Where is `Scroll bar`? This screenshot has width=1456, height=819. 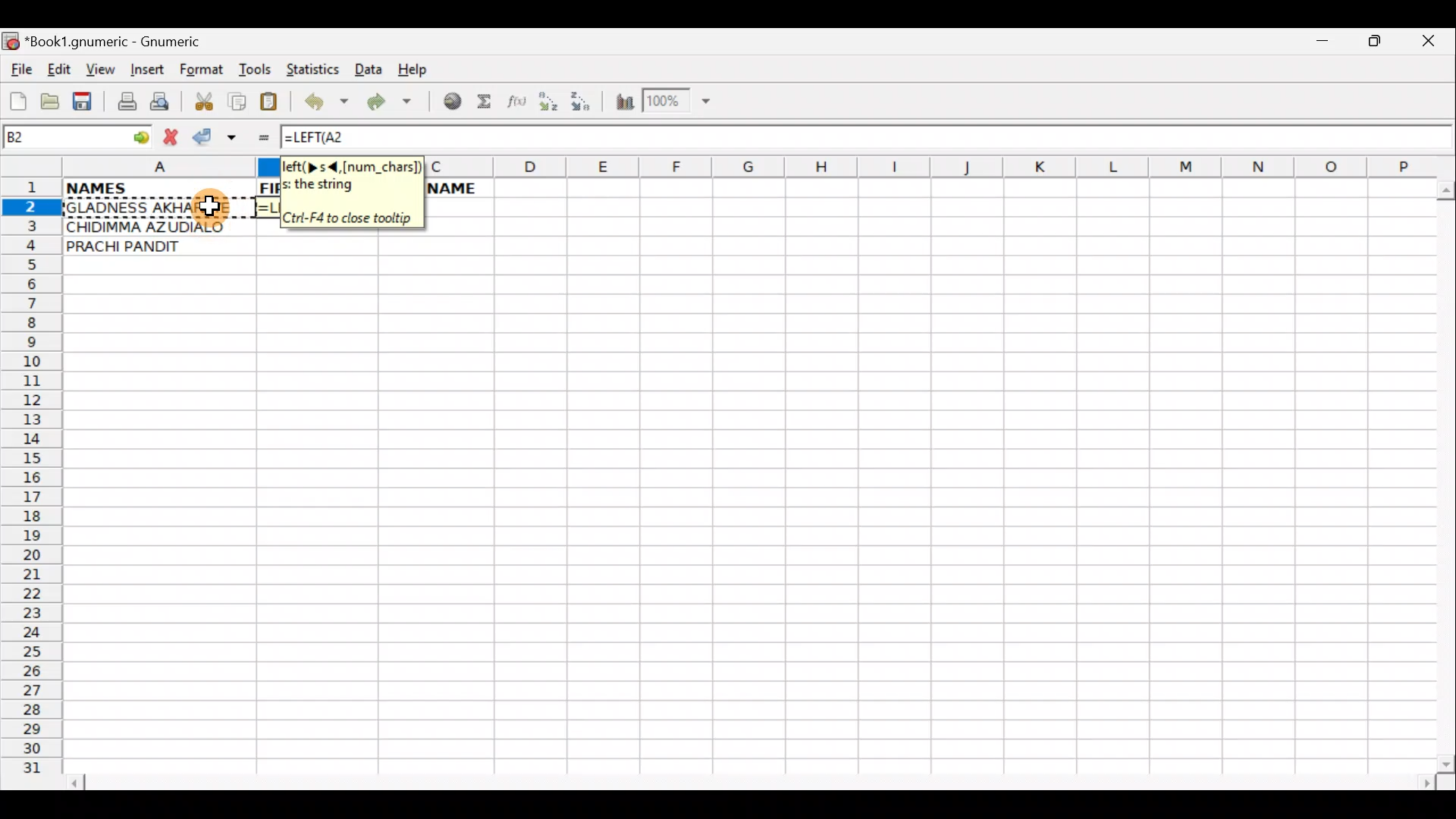 Scroll bar is located at coordinates (1442, 473).